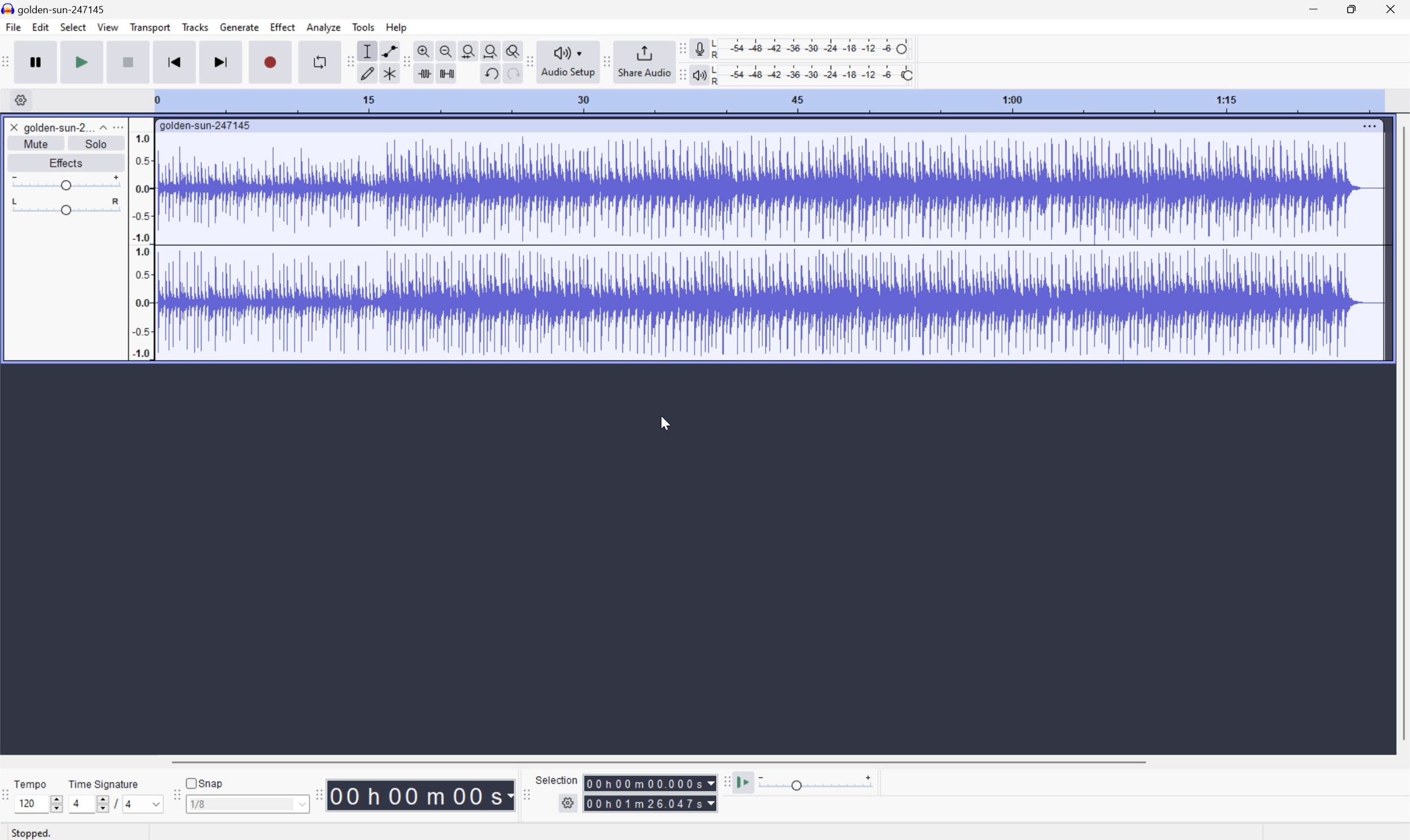 This screenshot has height=840, width=1410. I want to click on Audio, so click(770, 247).